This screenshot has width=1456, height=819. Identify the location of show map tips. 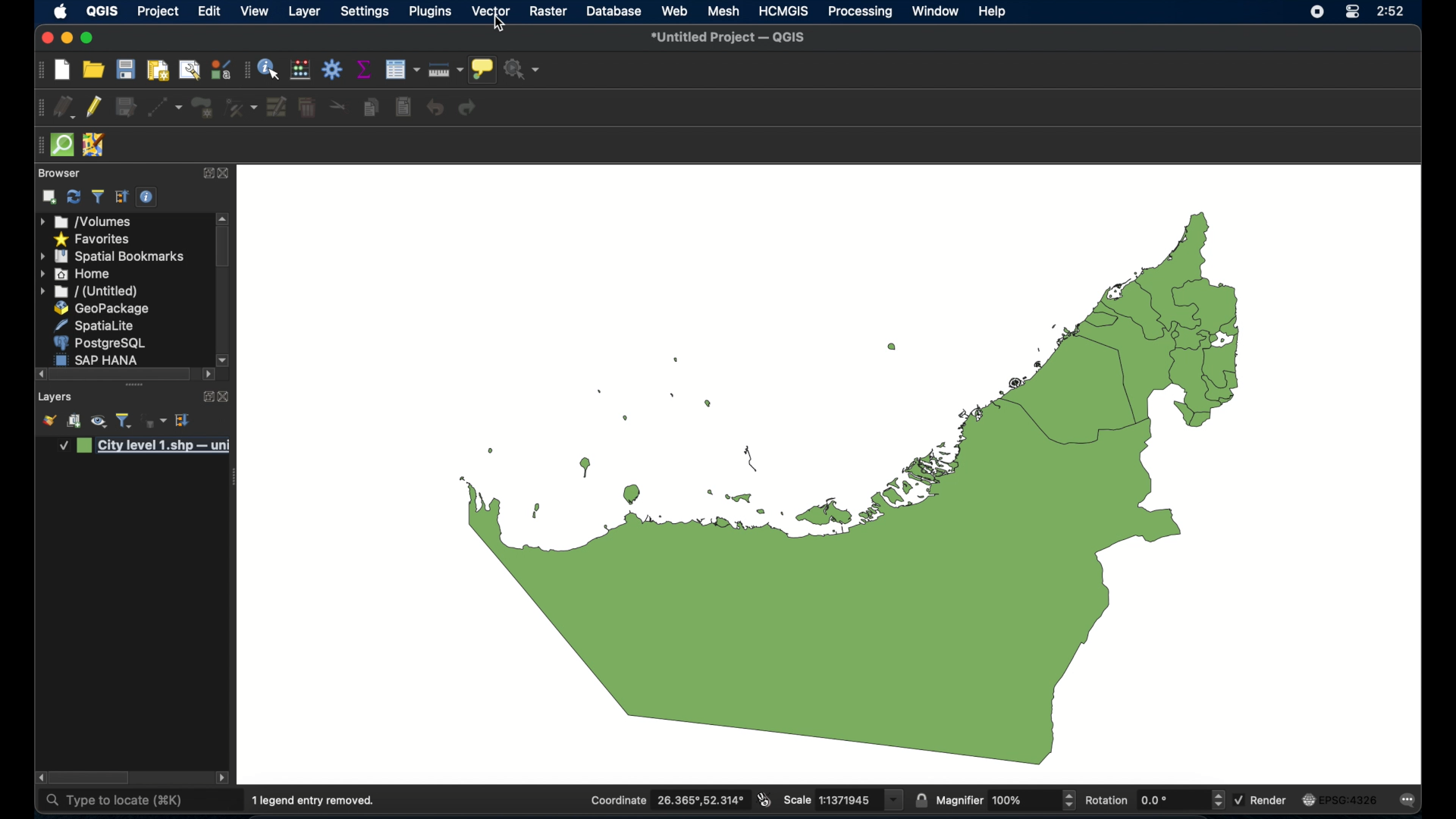
(482, 69).